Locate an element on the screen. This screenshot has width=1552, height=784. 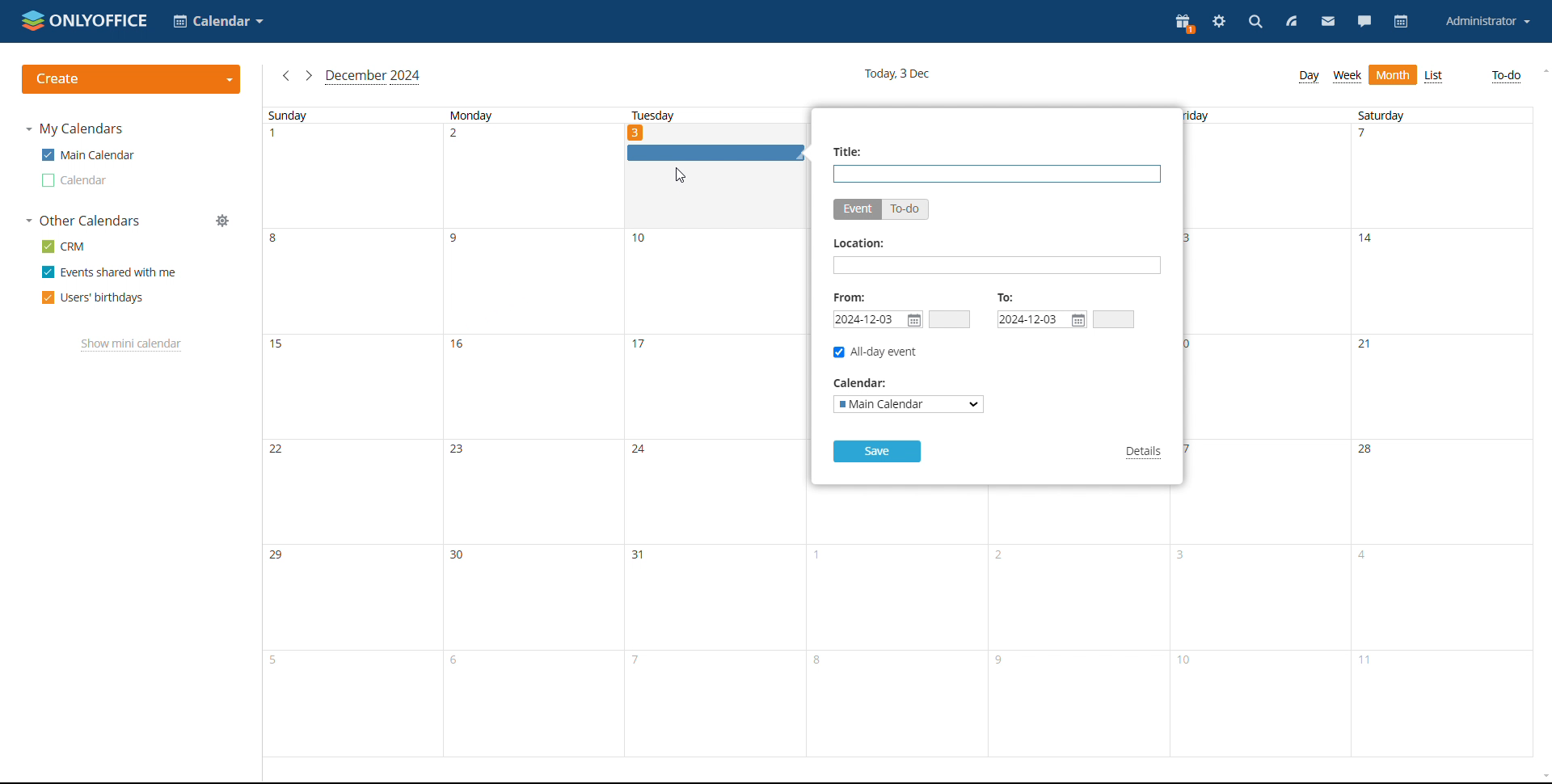
other calendars is located at coordinates (82, 220).